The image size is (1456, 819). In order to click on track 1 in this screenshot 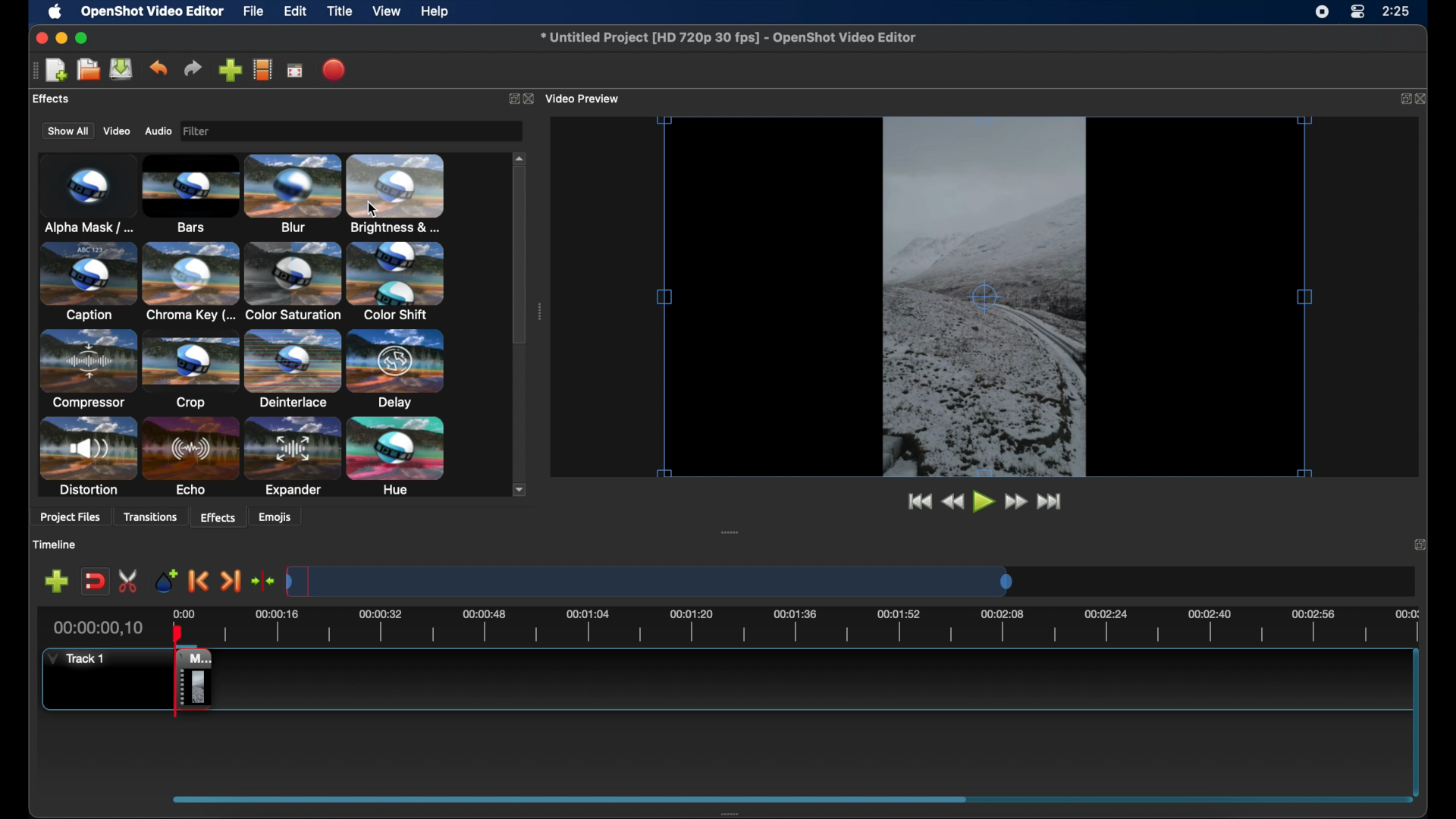, I will do `click(74, 660)`.